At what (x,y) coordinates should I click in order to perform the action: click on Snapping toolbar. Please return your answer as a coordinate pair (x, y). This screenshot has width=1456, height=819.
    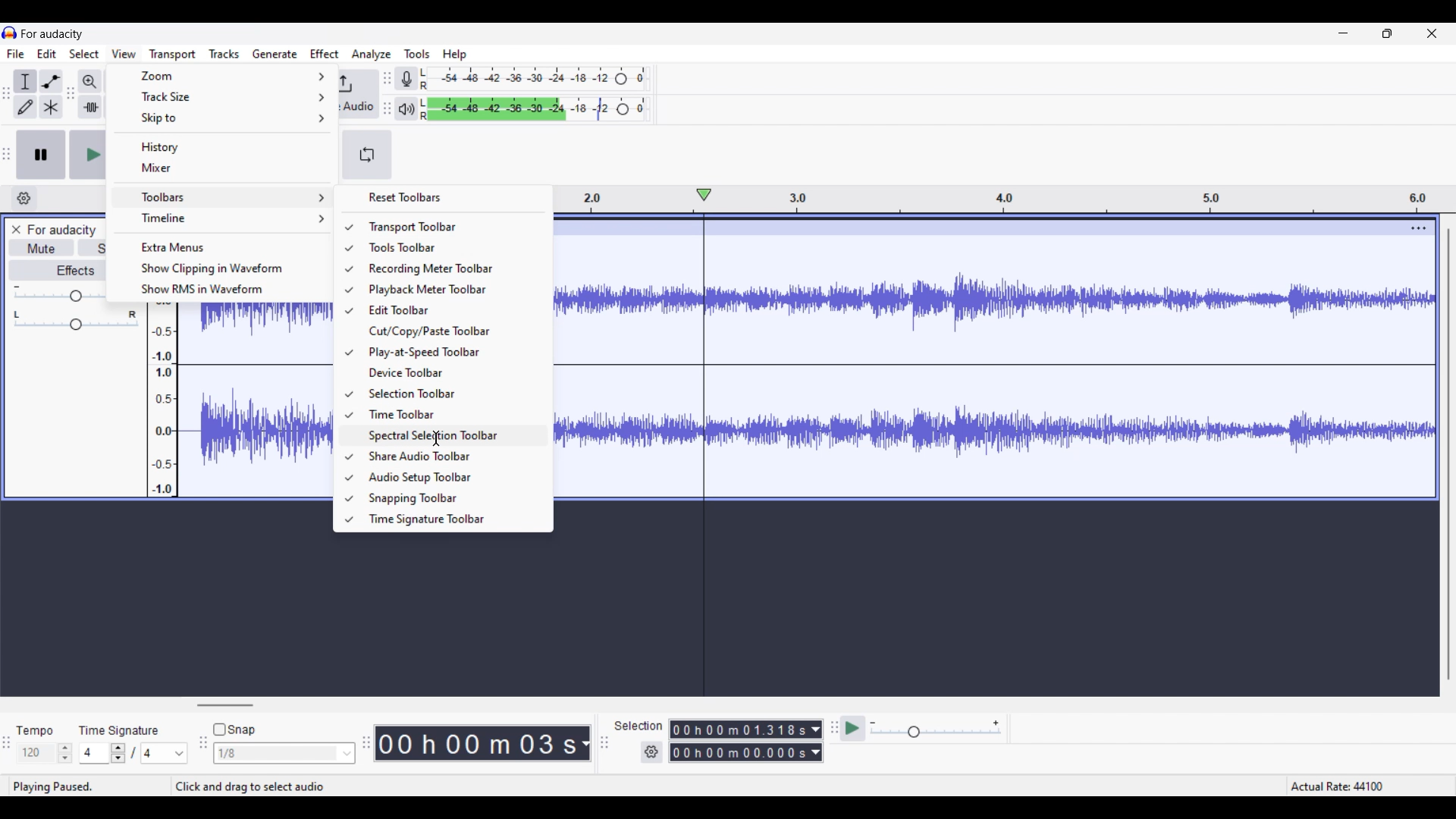
    Looking at the image, I should click on (450, 499).